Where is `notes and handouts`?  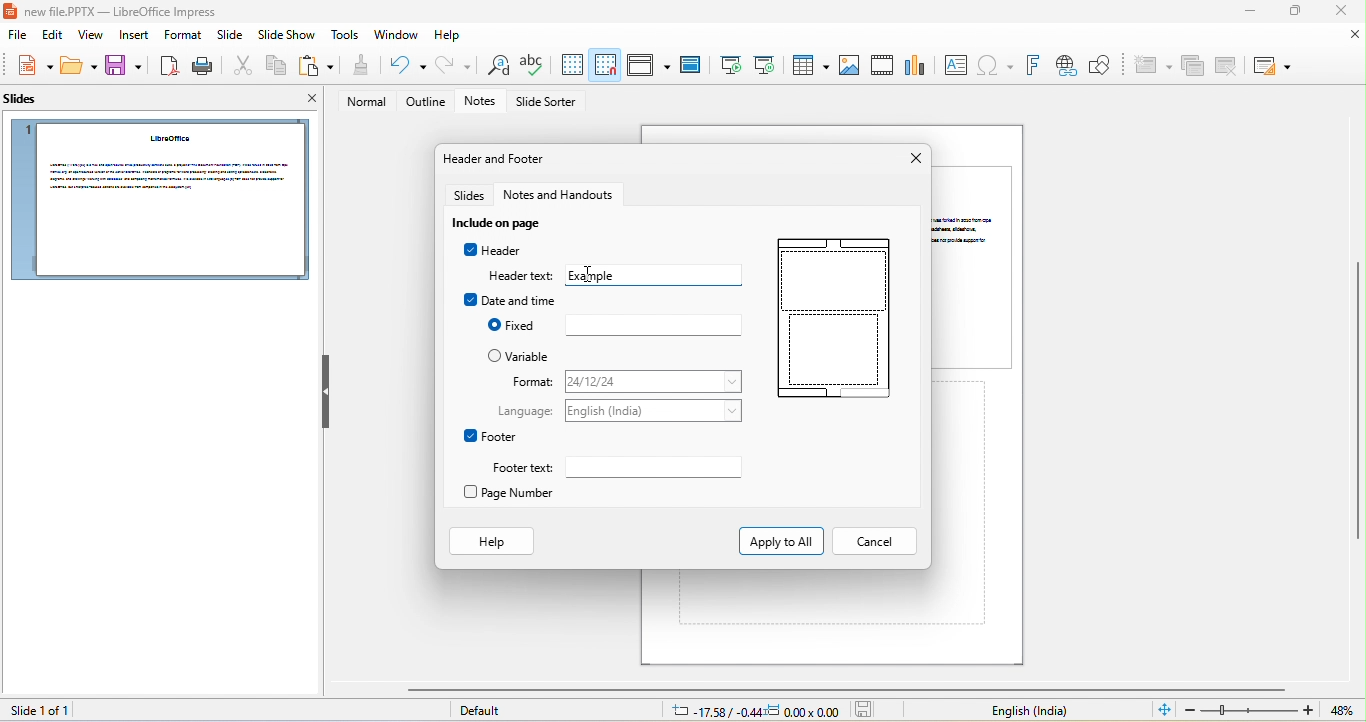
notes and handouts is located at coordinates (567, 196).